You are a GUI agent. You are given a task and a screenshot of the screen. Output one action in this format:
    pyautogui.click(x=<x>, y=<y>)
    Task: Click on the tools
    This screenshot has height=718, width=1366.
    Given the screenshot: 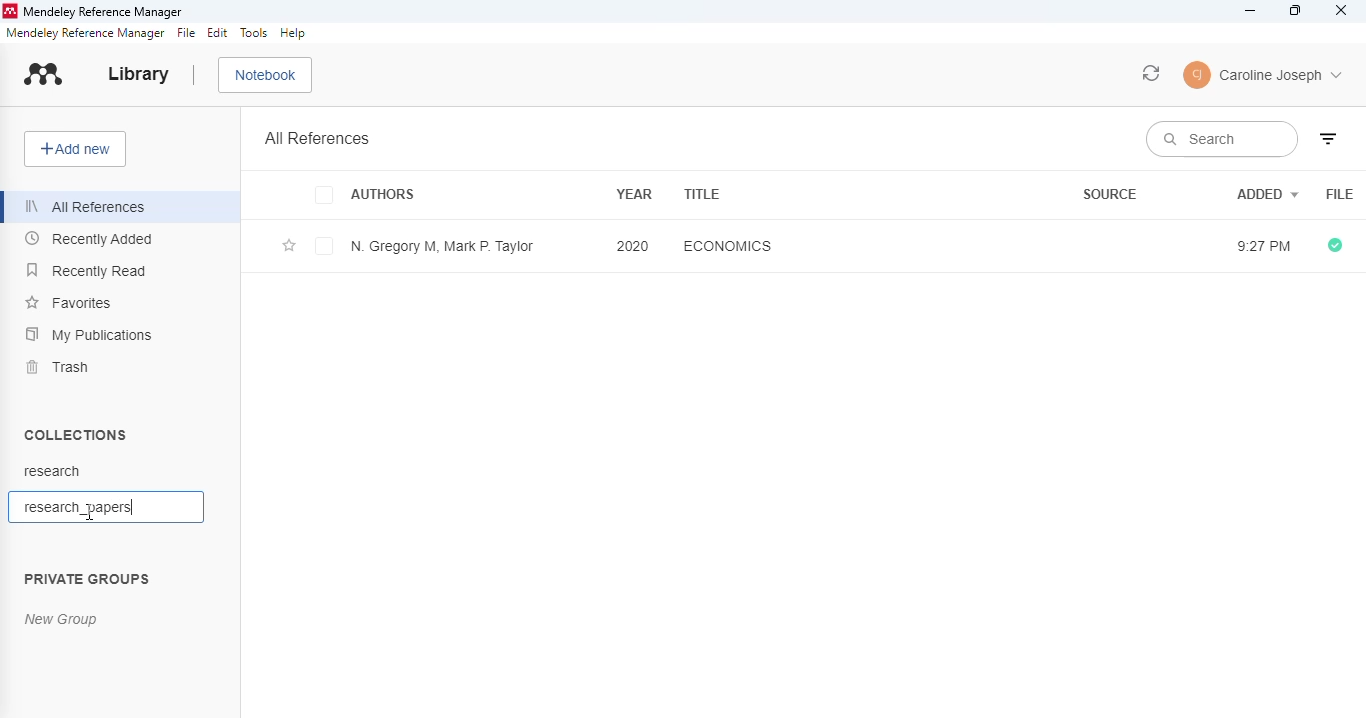 What is the action you would take?
    pyautogui.click(x=254, y=33)
    